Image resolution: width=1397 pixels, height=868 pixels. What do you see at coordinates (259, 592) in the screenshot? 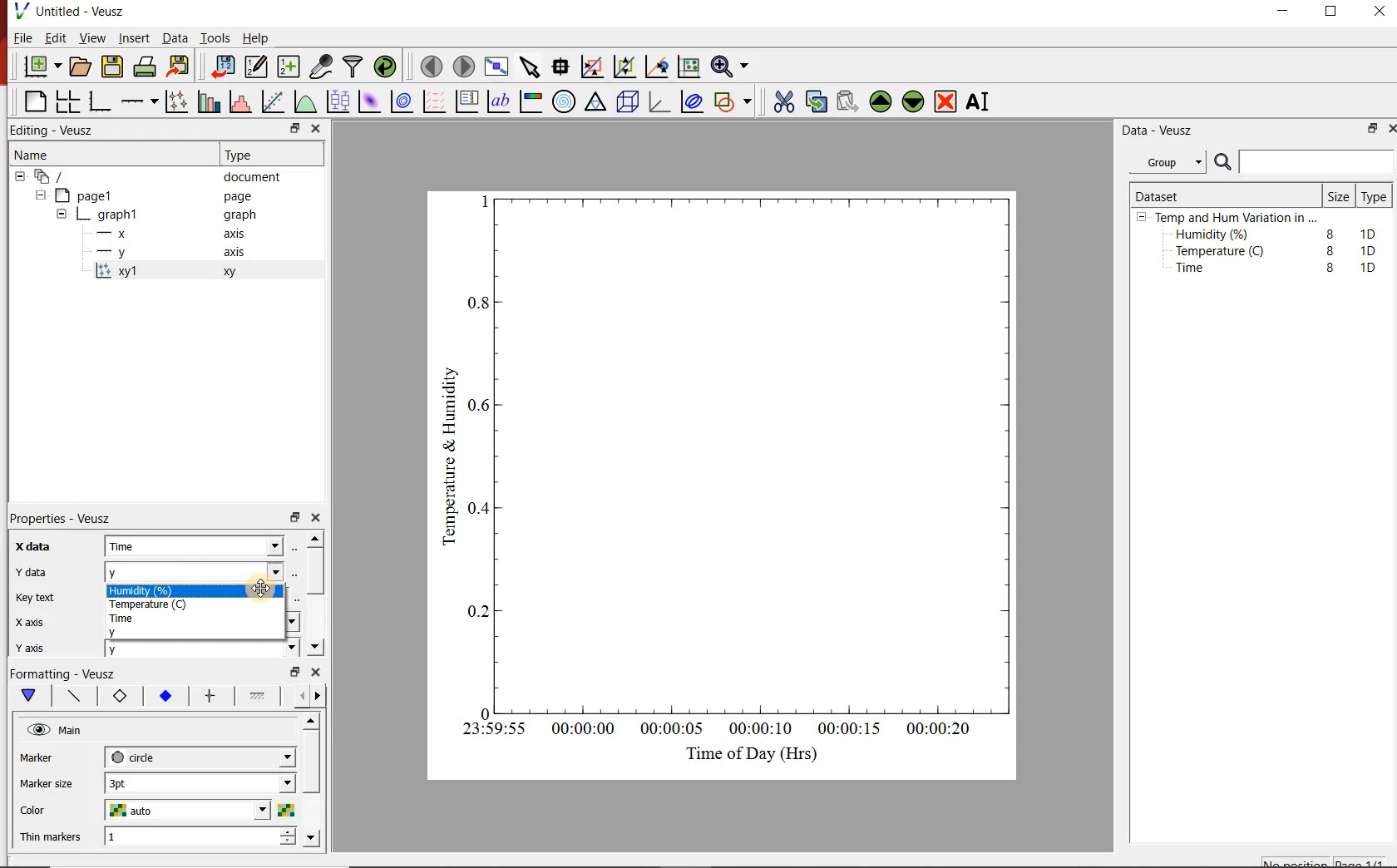
I see `Cursor` at bounding box center [259, 592].